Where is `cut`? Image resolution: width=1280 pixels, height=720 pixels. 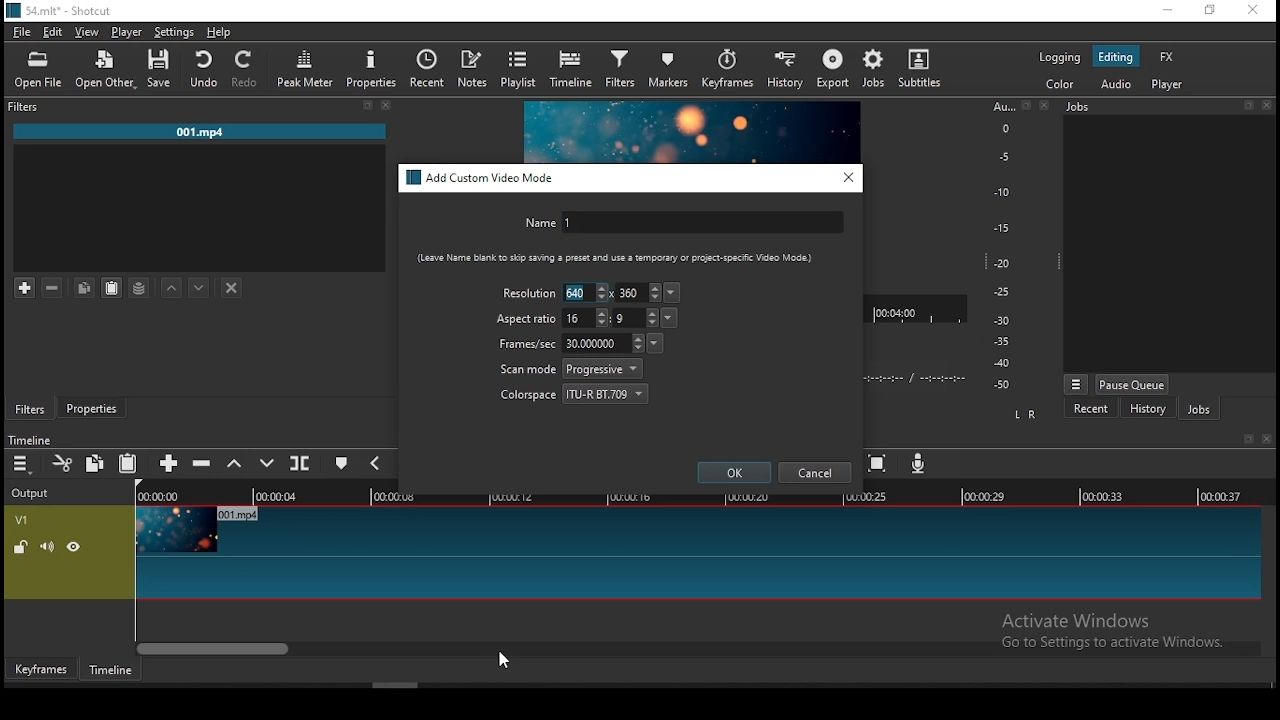
cut is located at coordinates (63, 463).